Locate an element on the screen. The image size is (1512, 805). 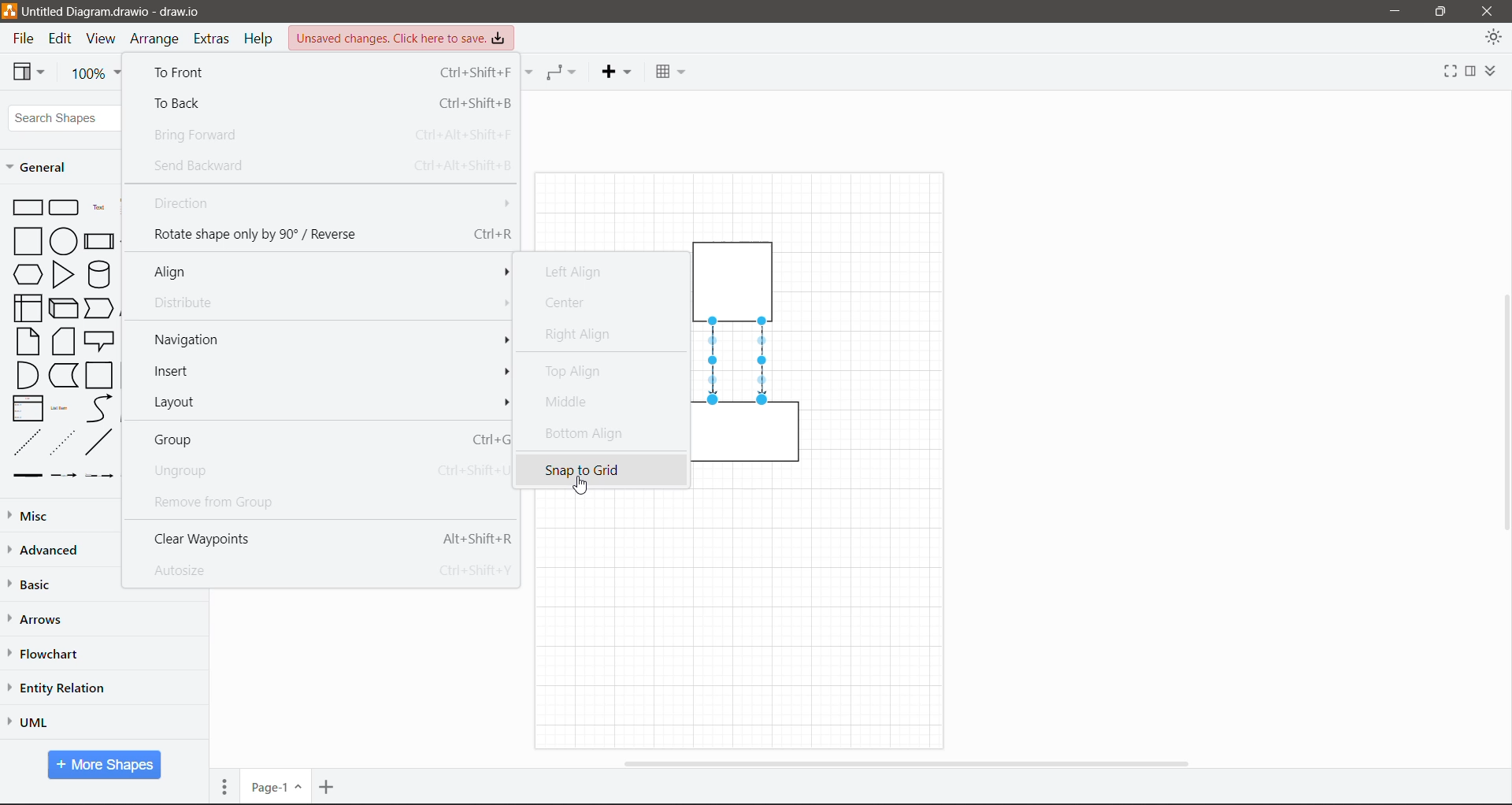
View is located at coordinates (101, 39).